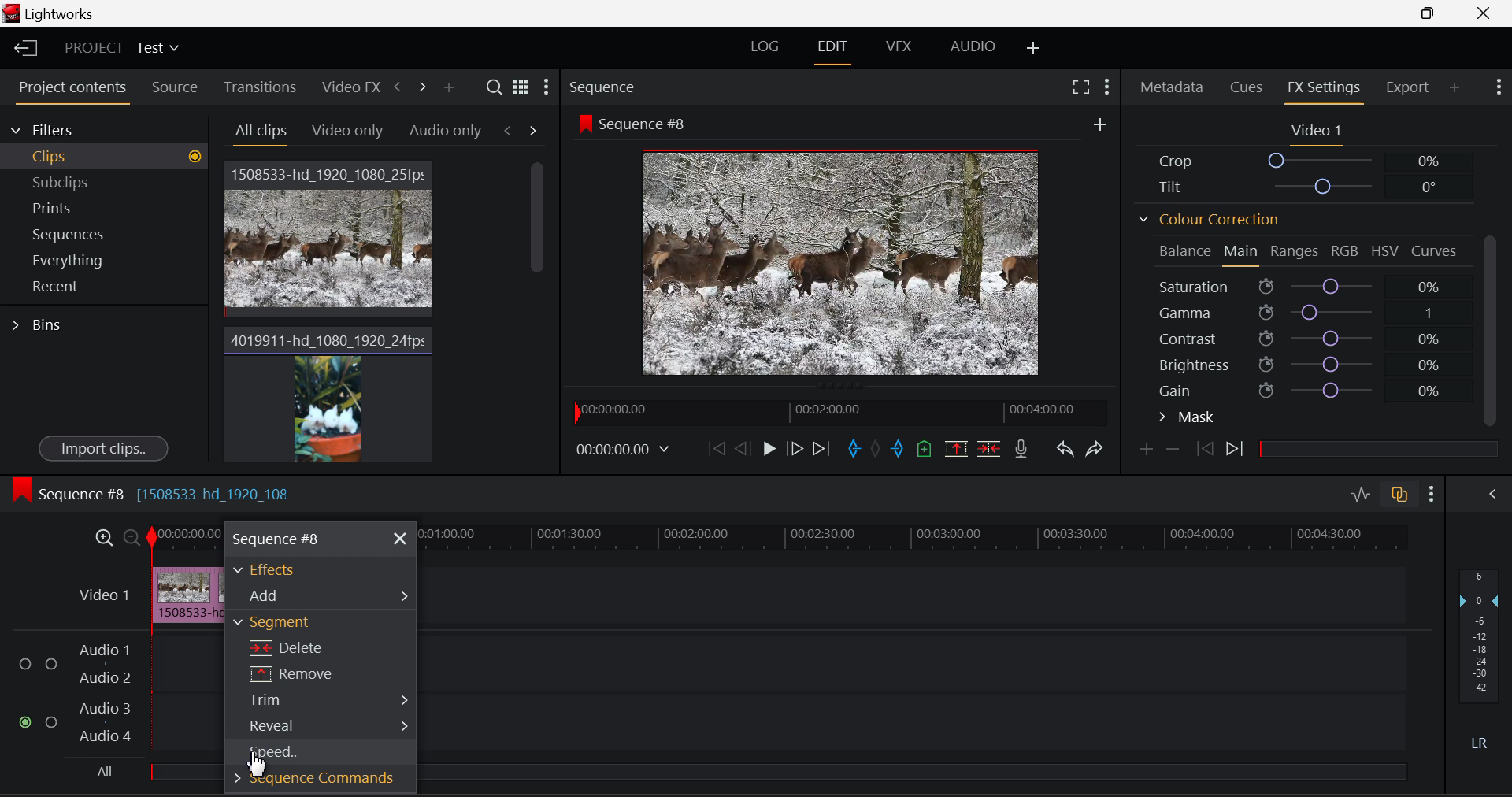 The height and width of the screenshot is (797, 1512). I want to click on Audio only, so click(445, 132).